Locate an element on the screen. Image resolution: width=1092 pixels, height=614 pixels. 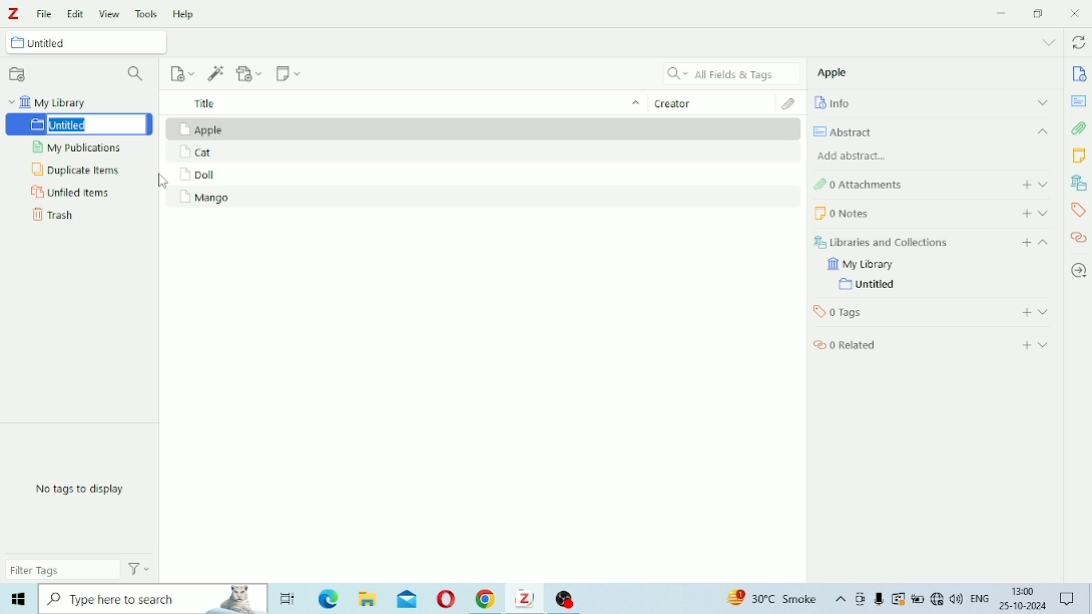
List all tabs is located at coordinates (1050, 41).